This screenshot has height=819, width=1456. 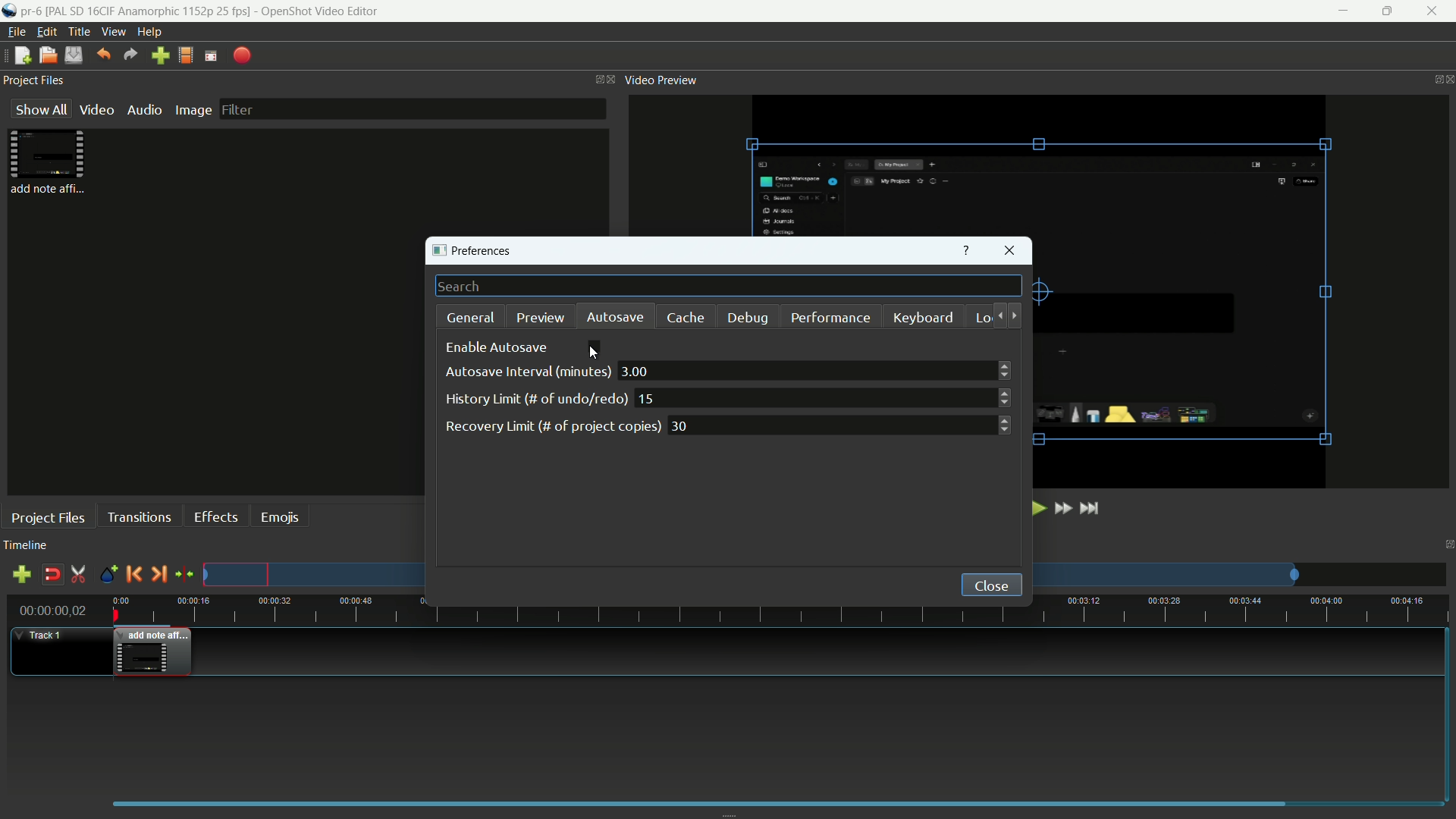 What do you see at coordinates (79, 33) in the screenshot?
I see `title menu` at bounding box center [79, 33].